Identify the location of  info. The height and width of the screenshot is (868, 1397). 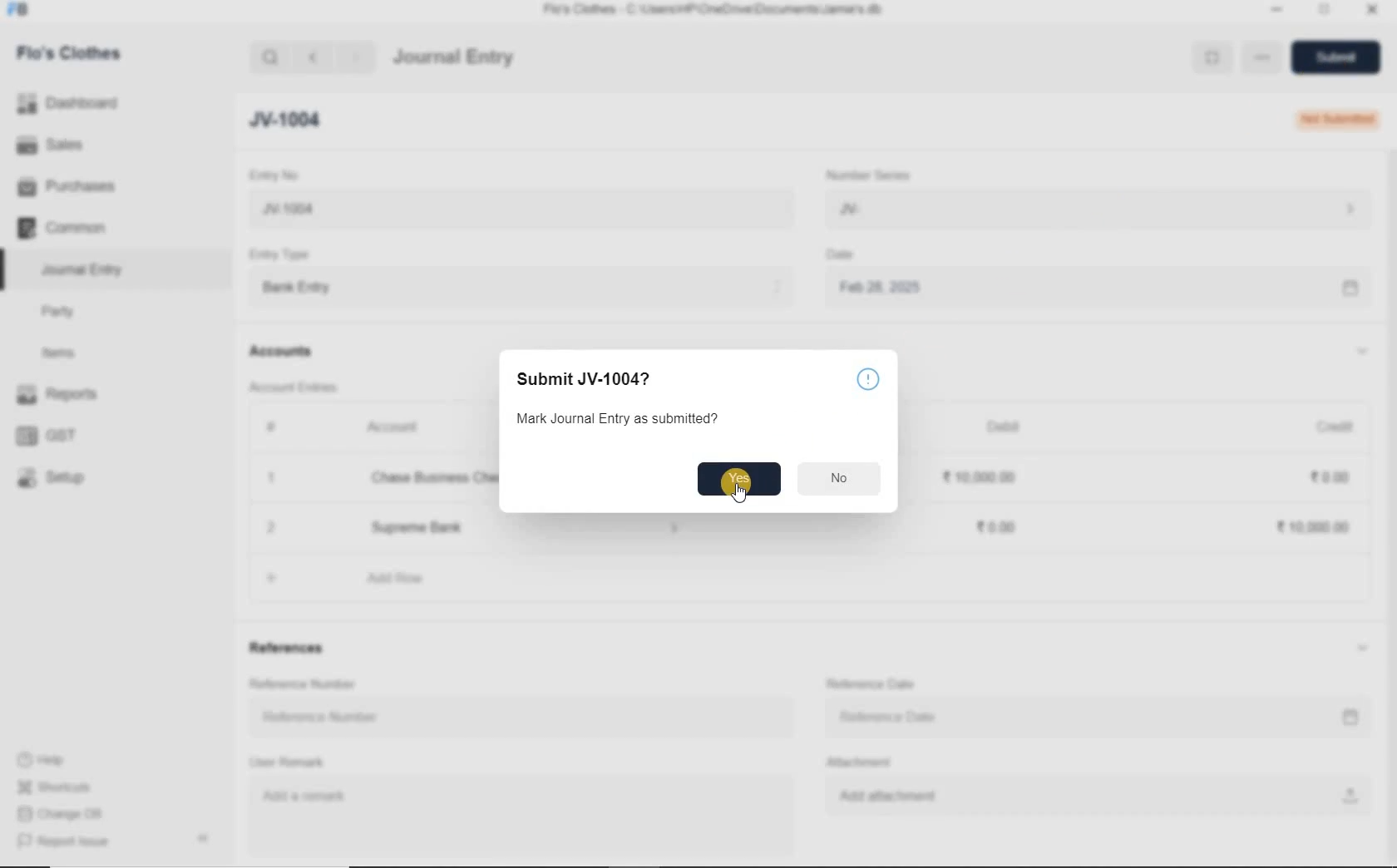
(867, 377).